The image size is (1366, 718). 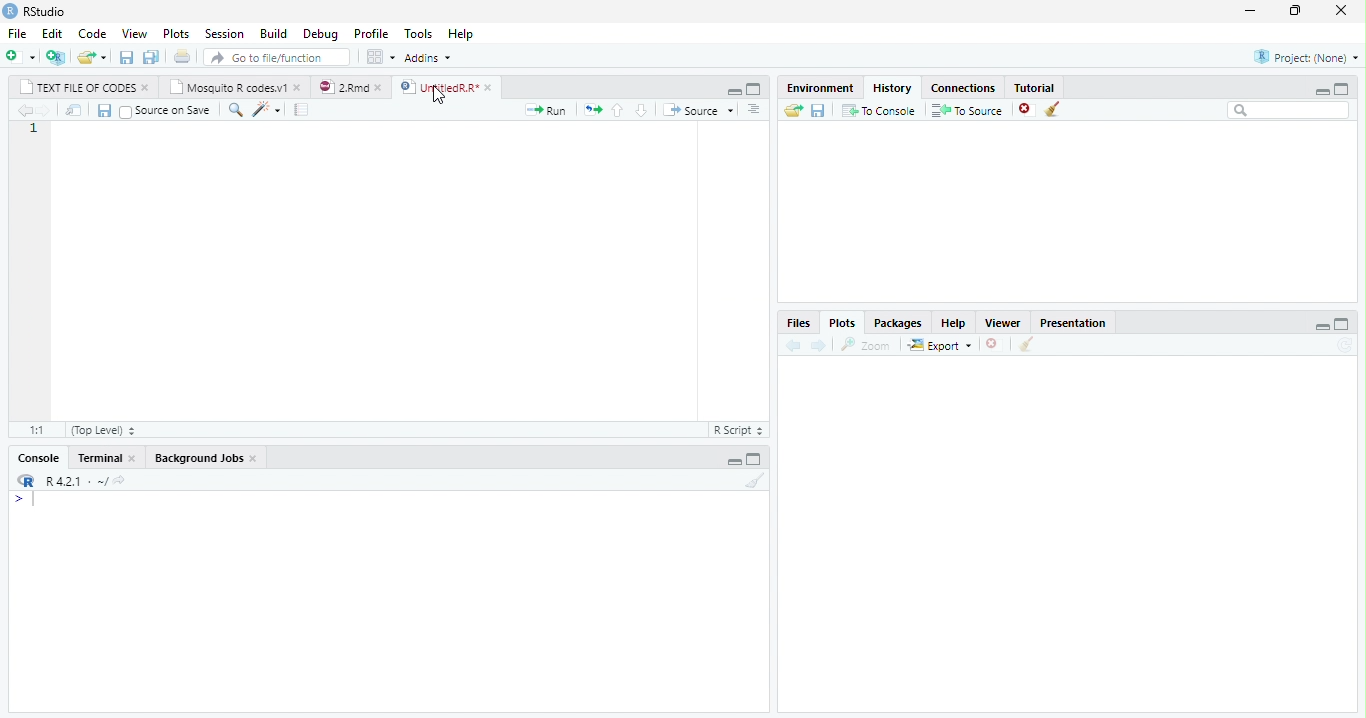 I want to click on print current file, so click(x=185, y=57).